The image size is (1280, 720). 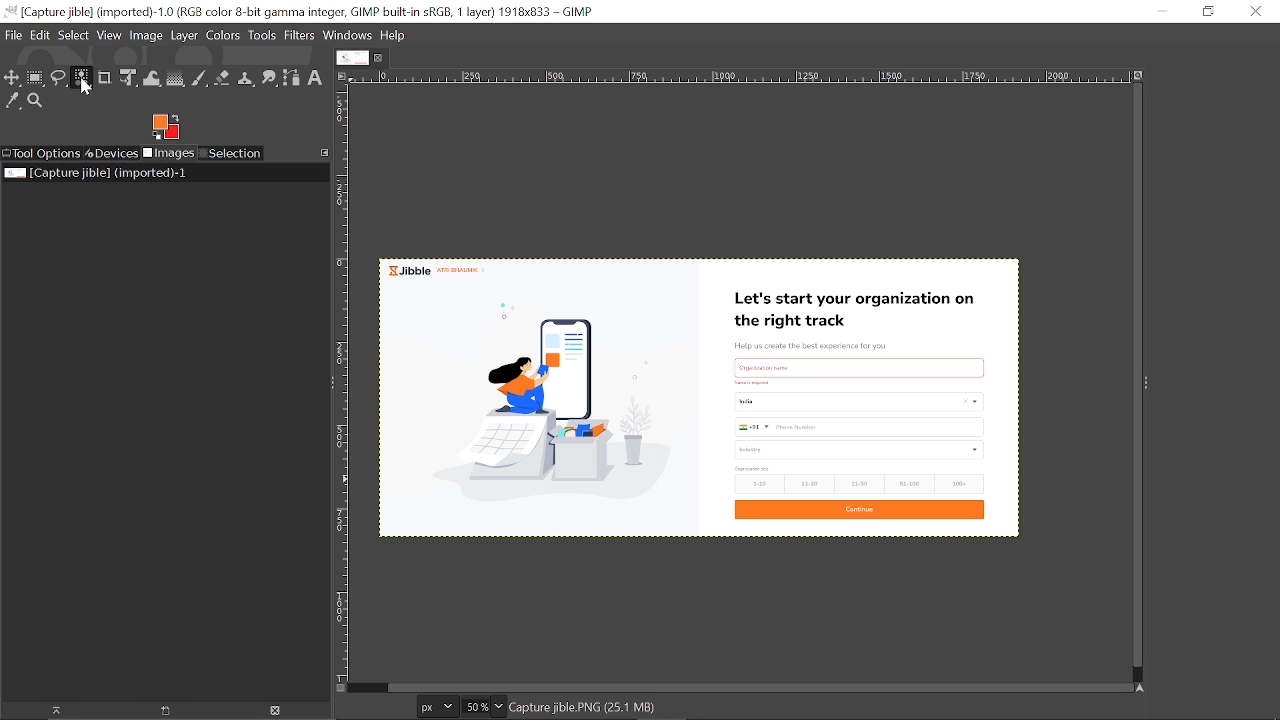 I want to click on Selection, so click(x=232, y=153).